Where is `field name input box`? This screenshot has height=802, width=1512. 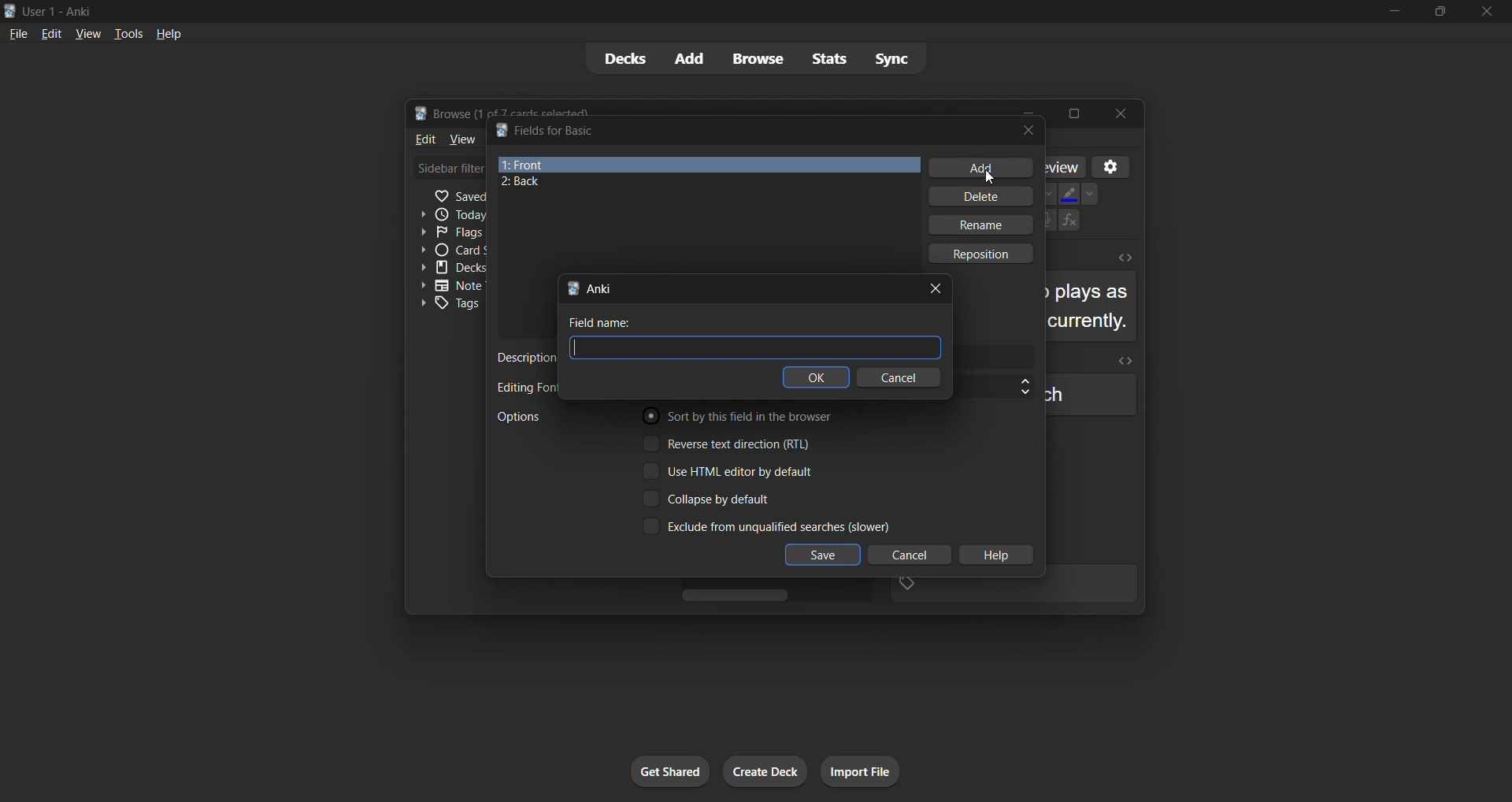
field name input box is located at coordinates (755, 348).